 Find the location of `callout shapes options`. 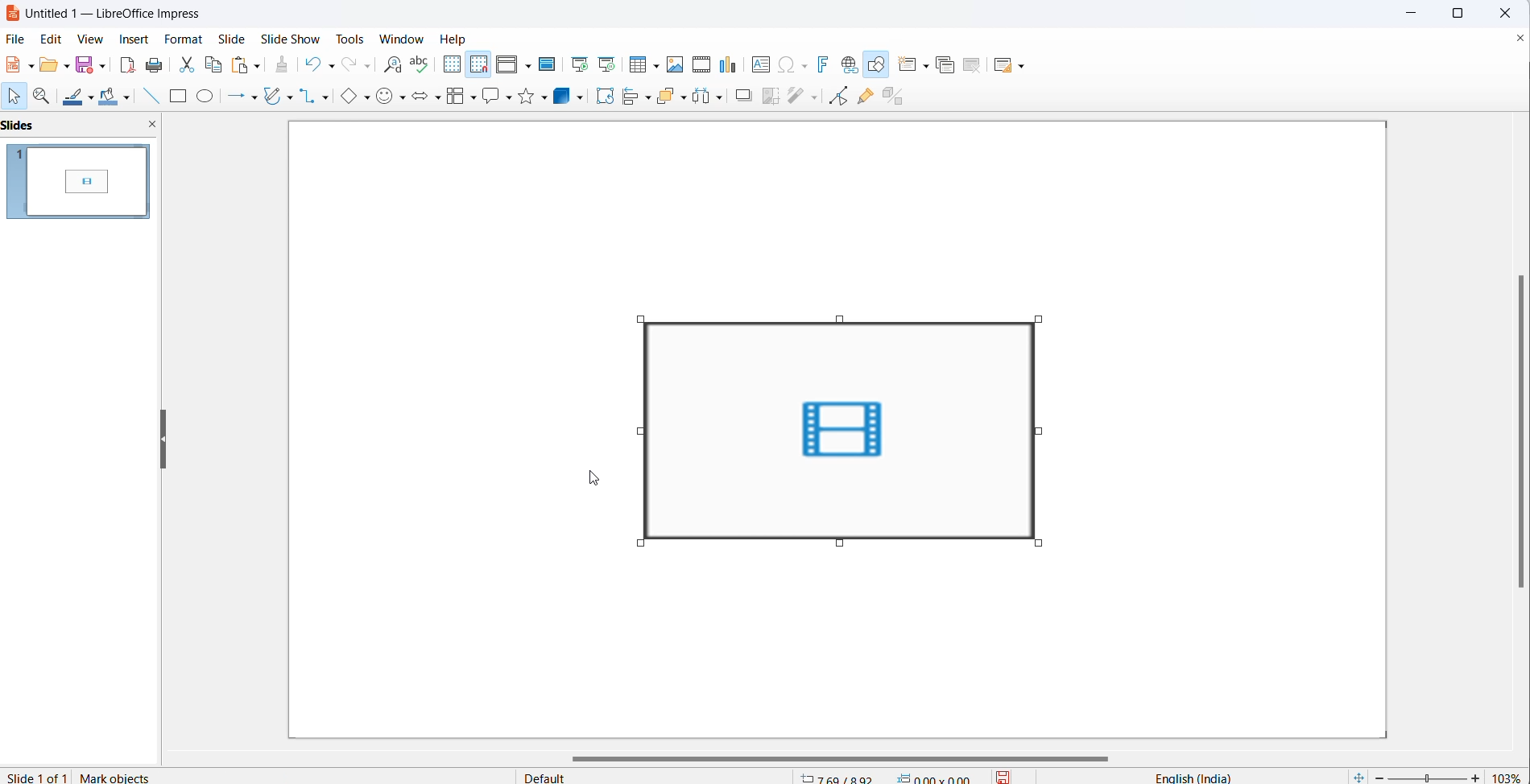

callout shapes options is located at coordinates (508, 99).